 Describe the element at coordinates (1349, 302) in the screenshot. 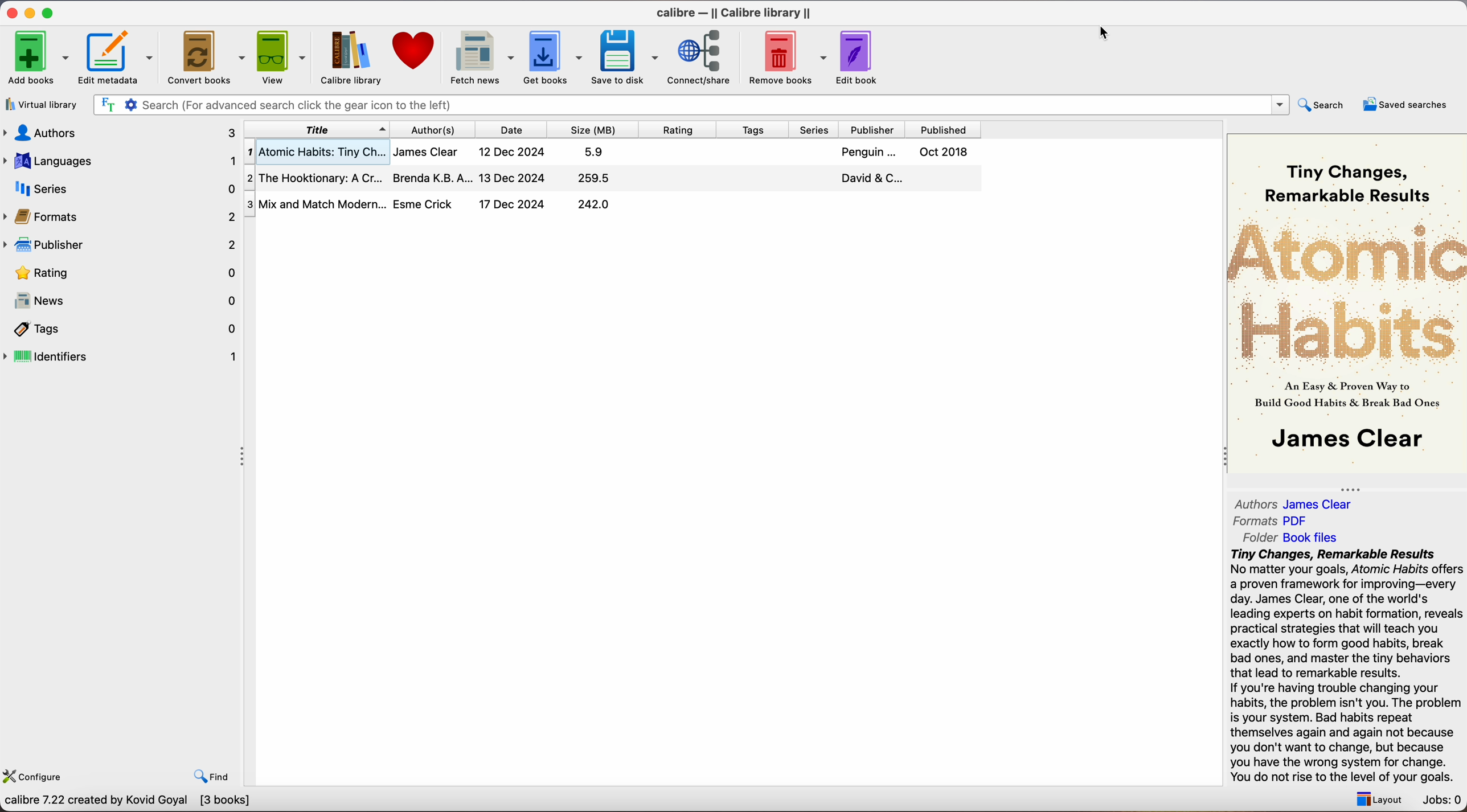

I see `book cover preview` at that location.